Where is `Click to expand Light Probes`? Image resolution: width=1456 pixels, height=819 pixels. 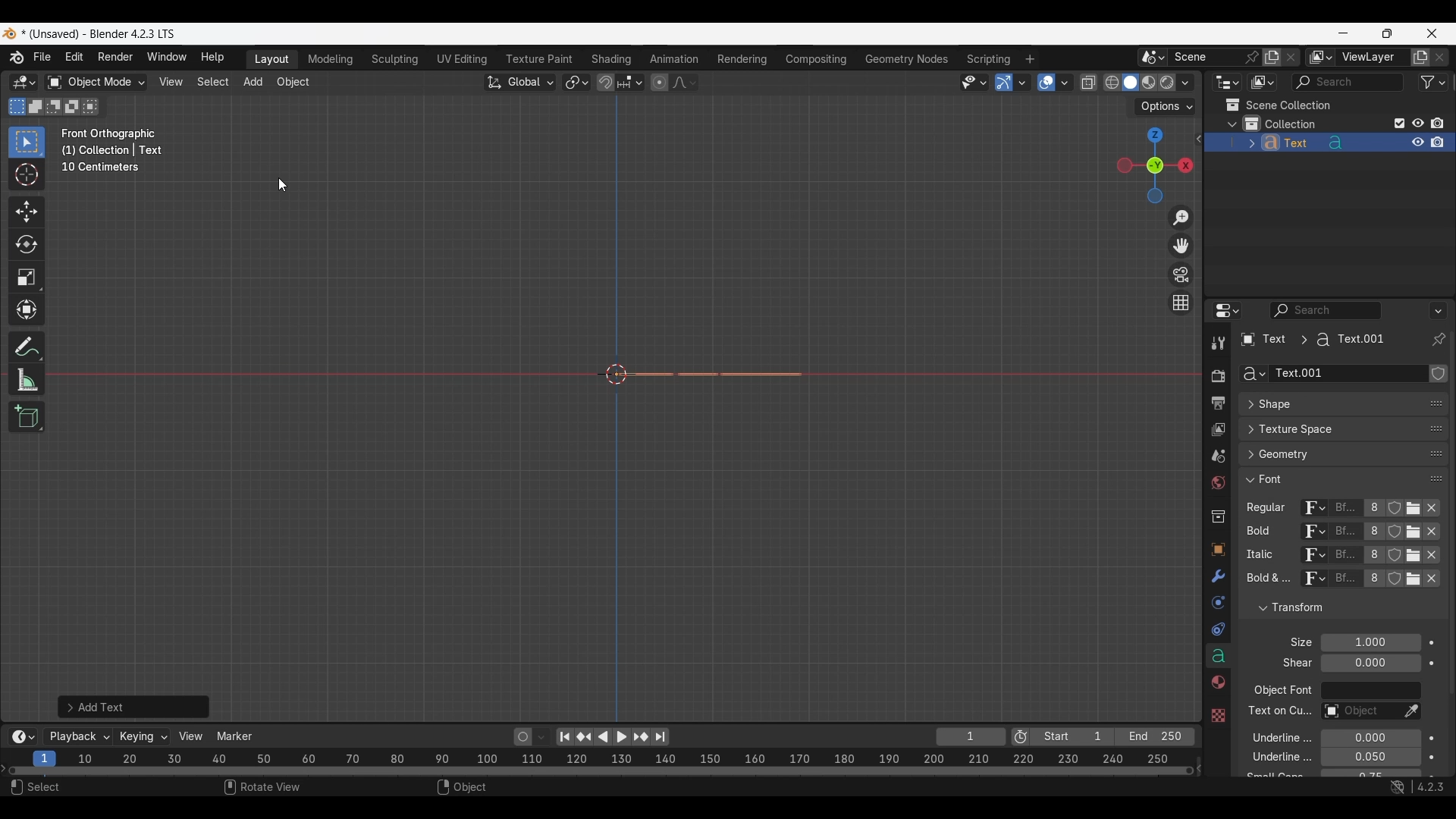 Click to expand Light Probes is located at coordinates (1291, 642).